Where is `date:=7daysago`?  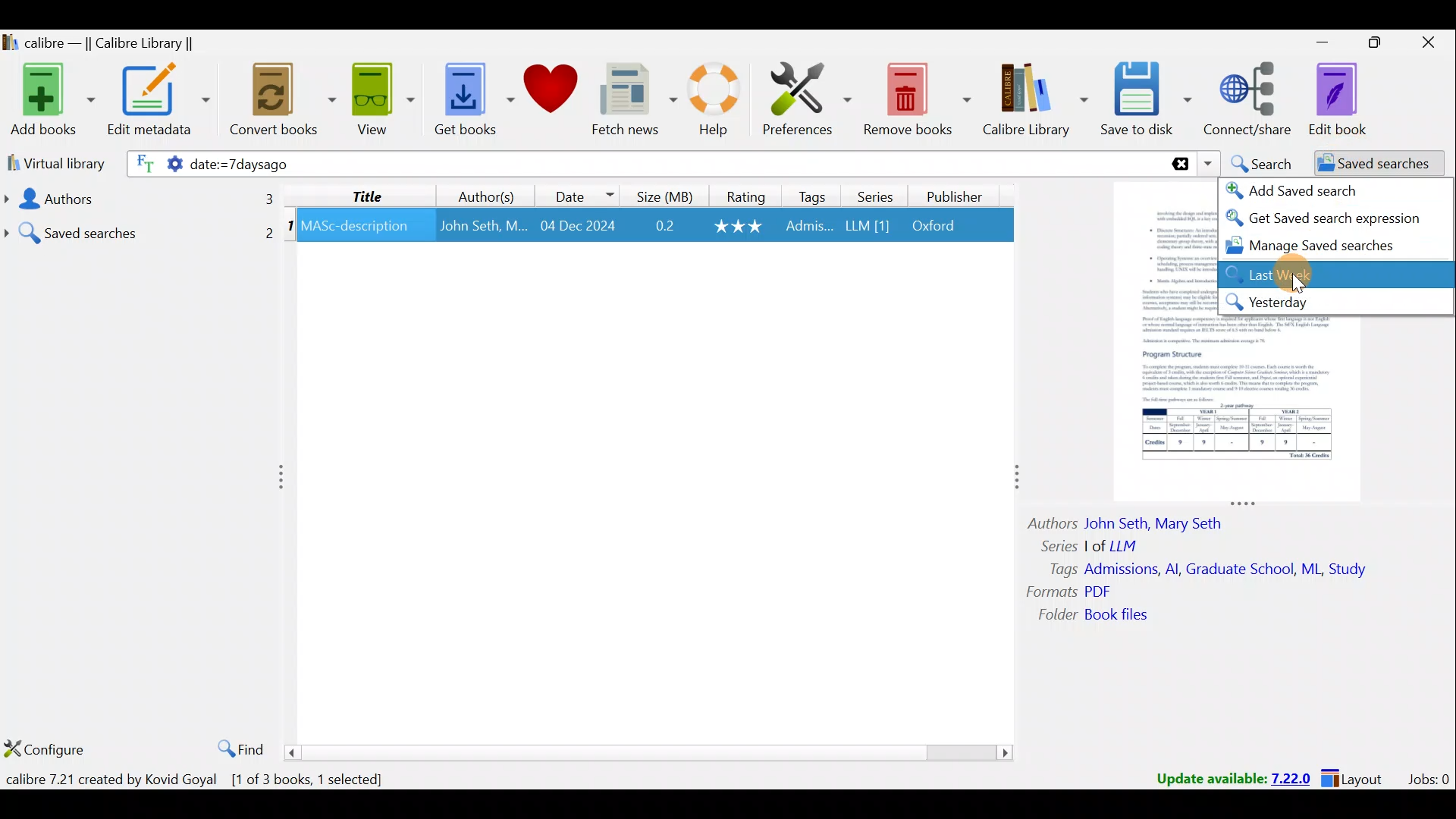 date:=7daysago is located at coordinates (379, 165).